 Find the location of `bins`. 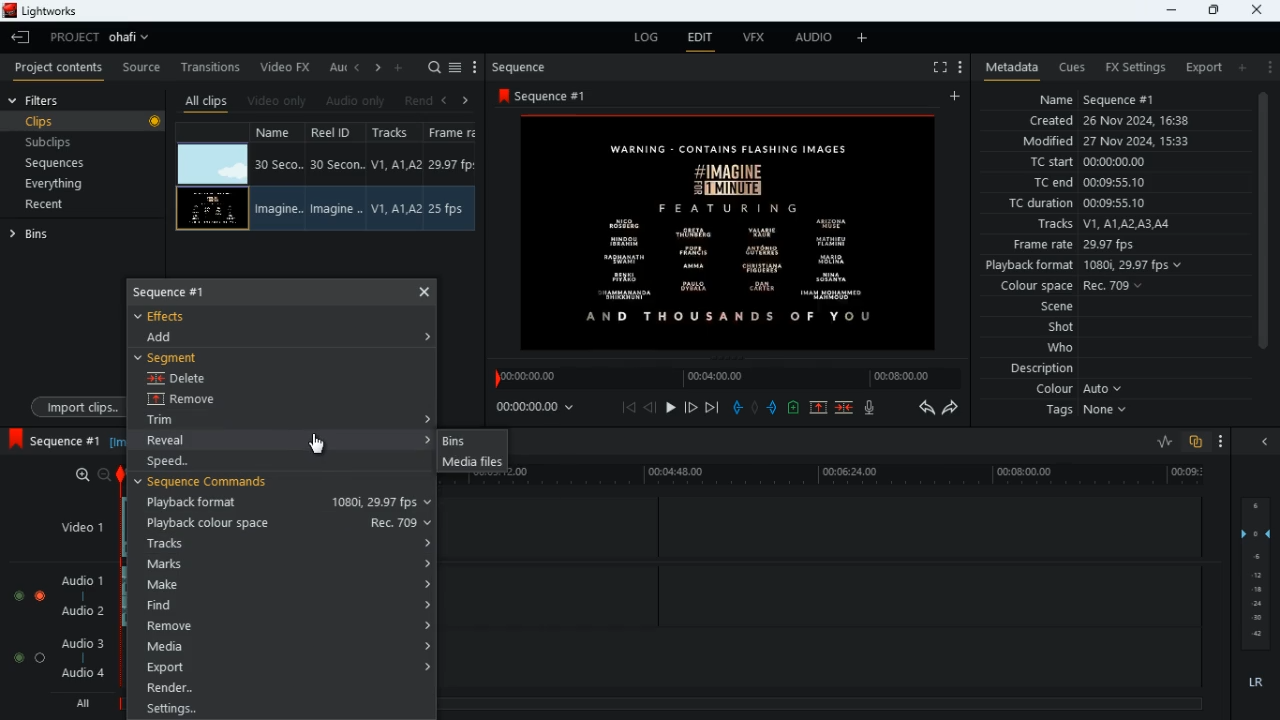

bins is located at coordinates (468, 441).